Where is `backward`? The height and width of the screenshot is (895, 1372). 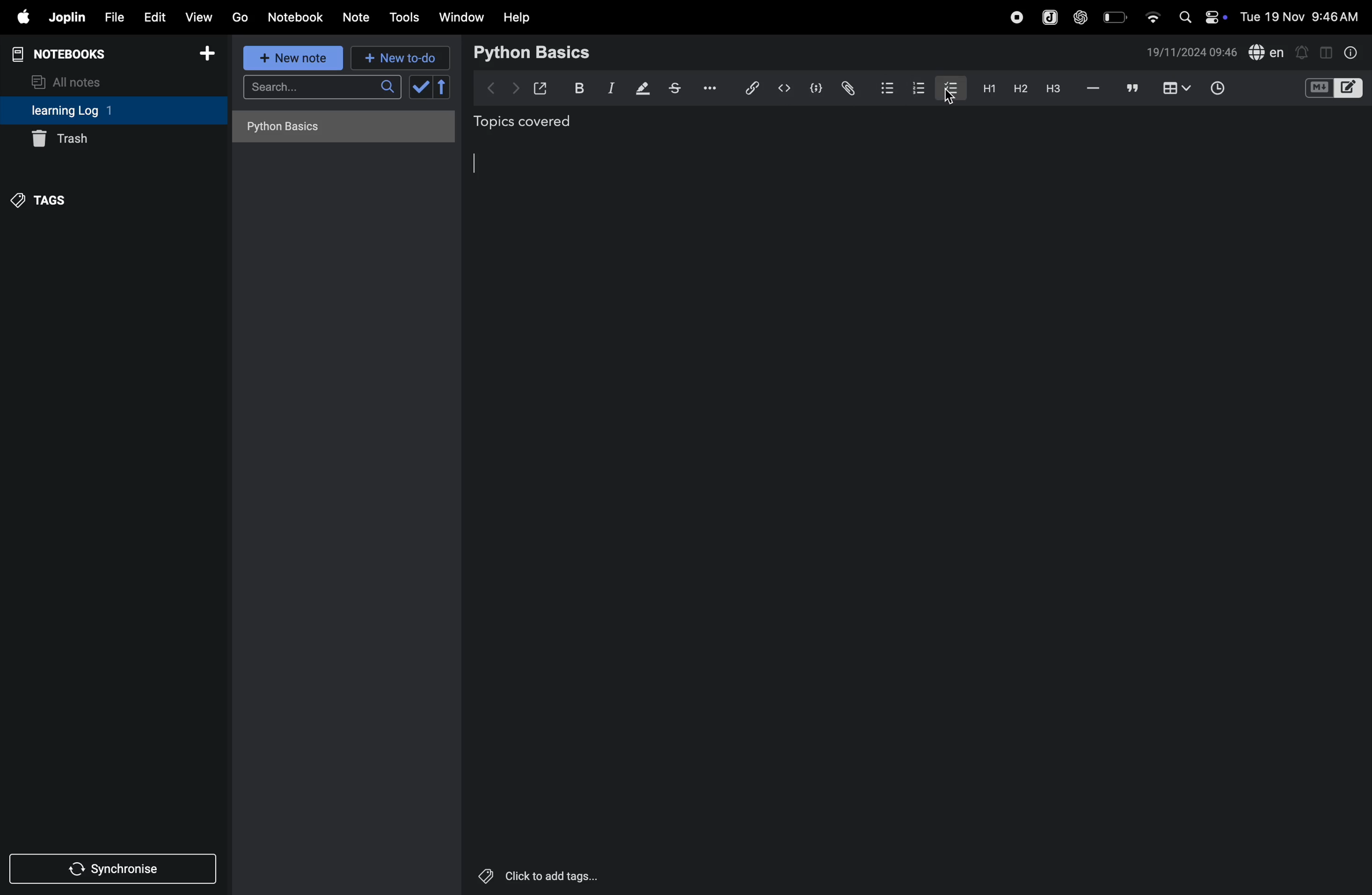 backward is located at coordinates (492, 87).